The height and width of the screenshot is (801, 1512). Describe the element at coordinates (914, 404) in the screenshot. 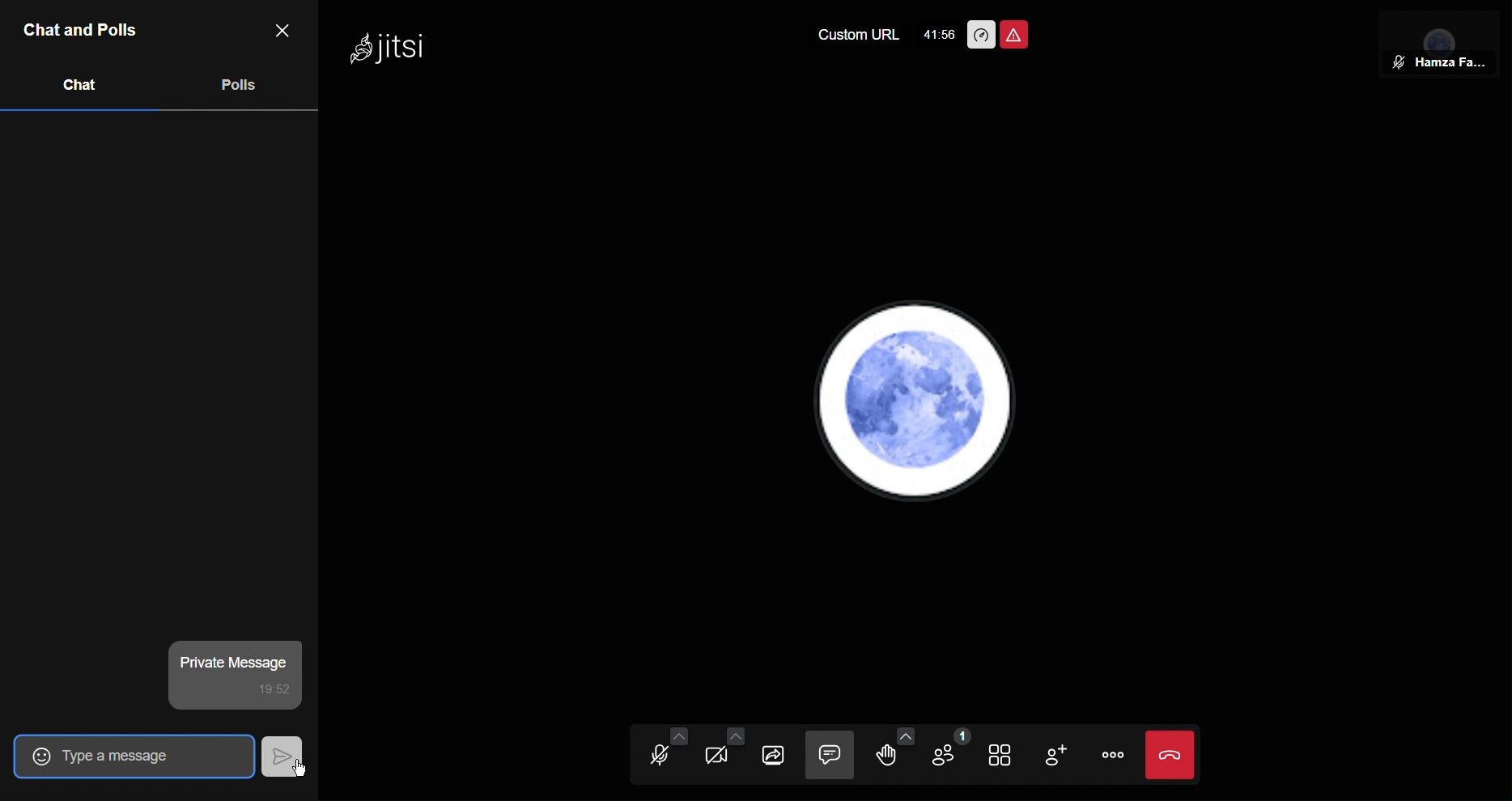

I see `Account Profile picture` at that location.